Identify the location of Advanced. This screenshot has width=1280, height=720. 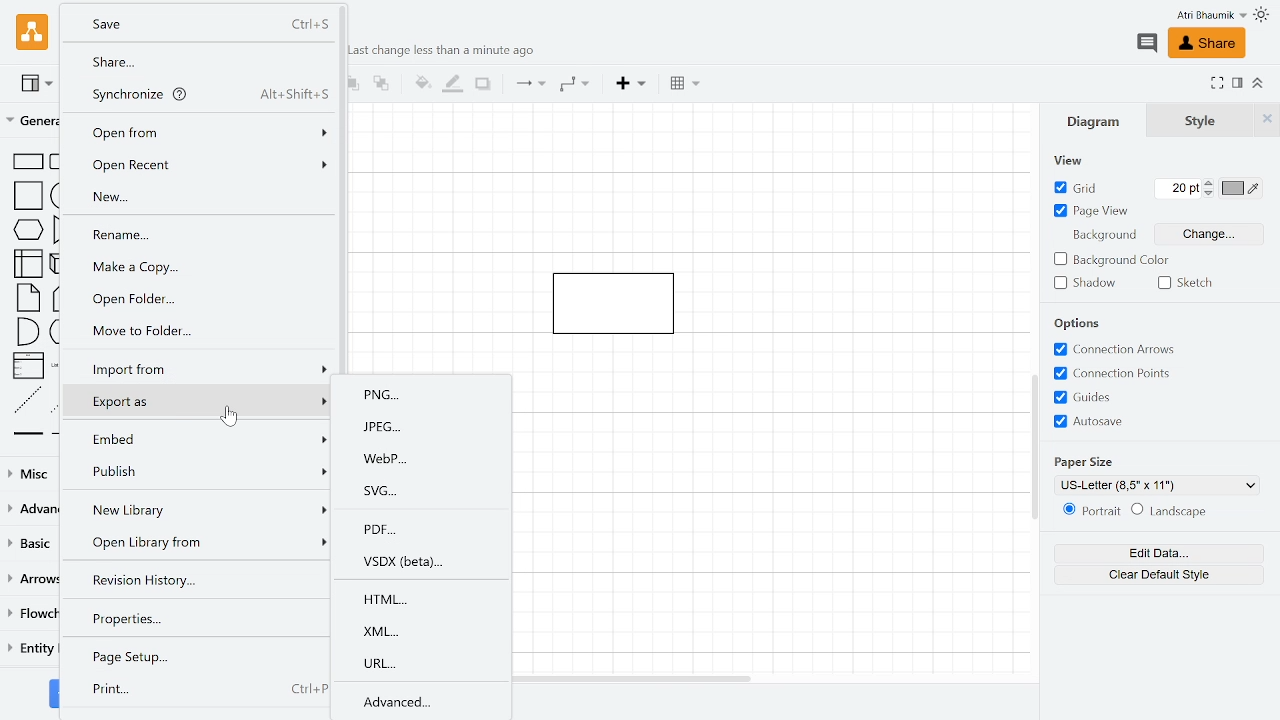
(30, 510).